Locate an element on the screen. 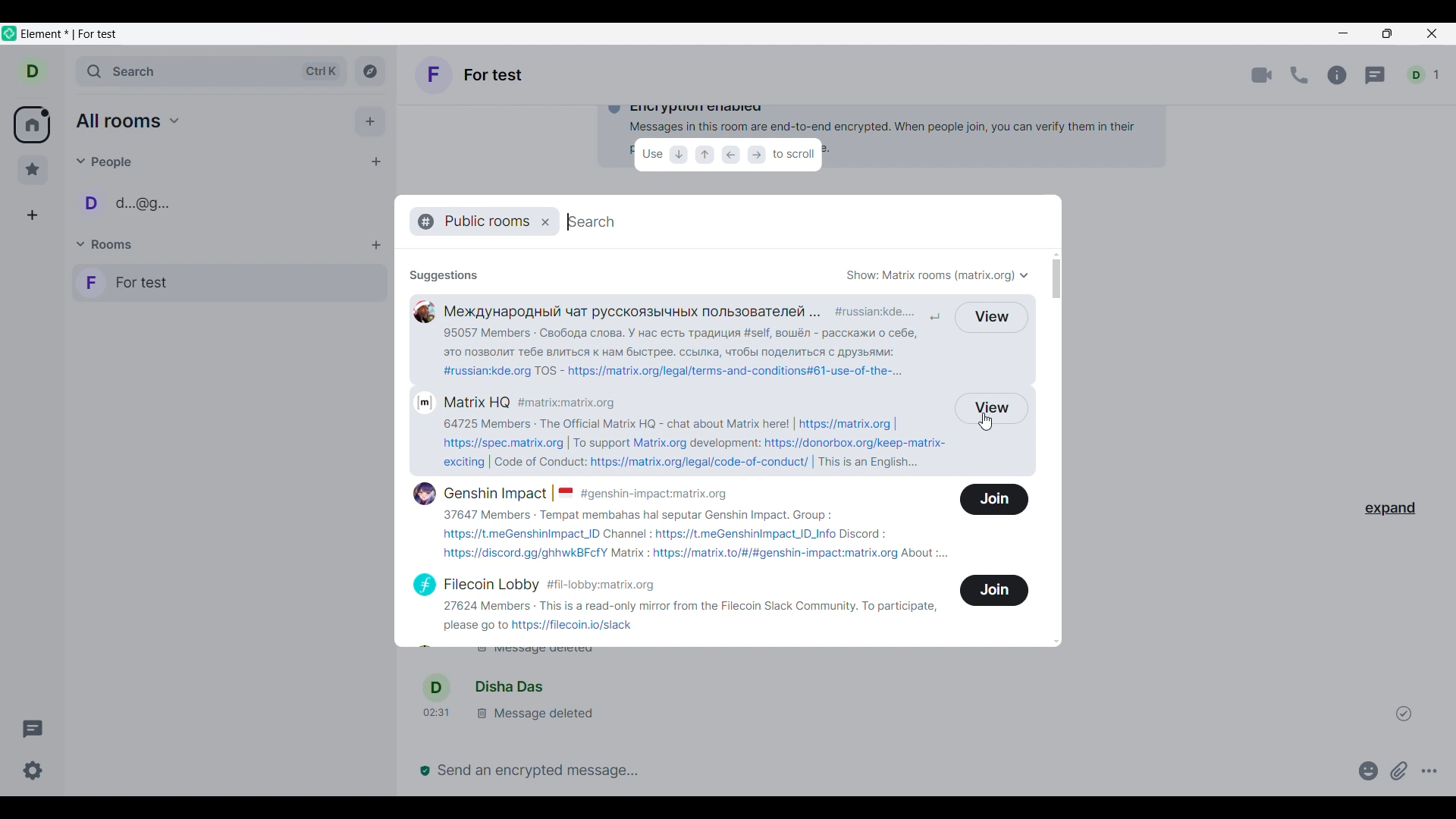  Video call is located at coordinates (1262, 75).